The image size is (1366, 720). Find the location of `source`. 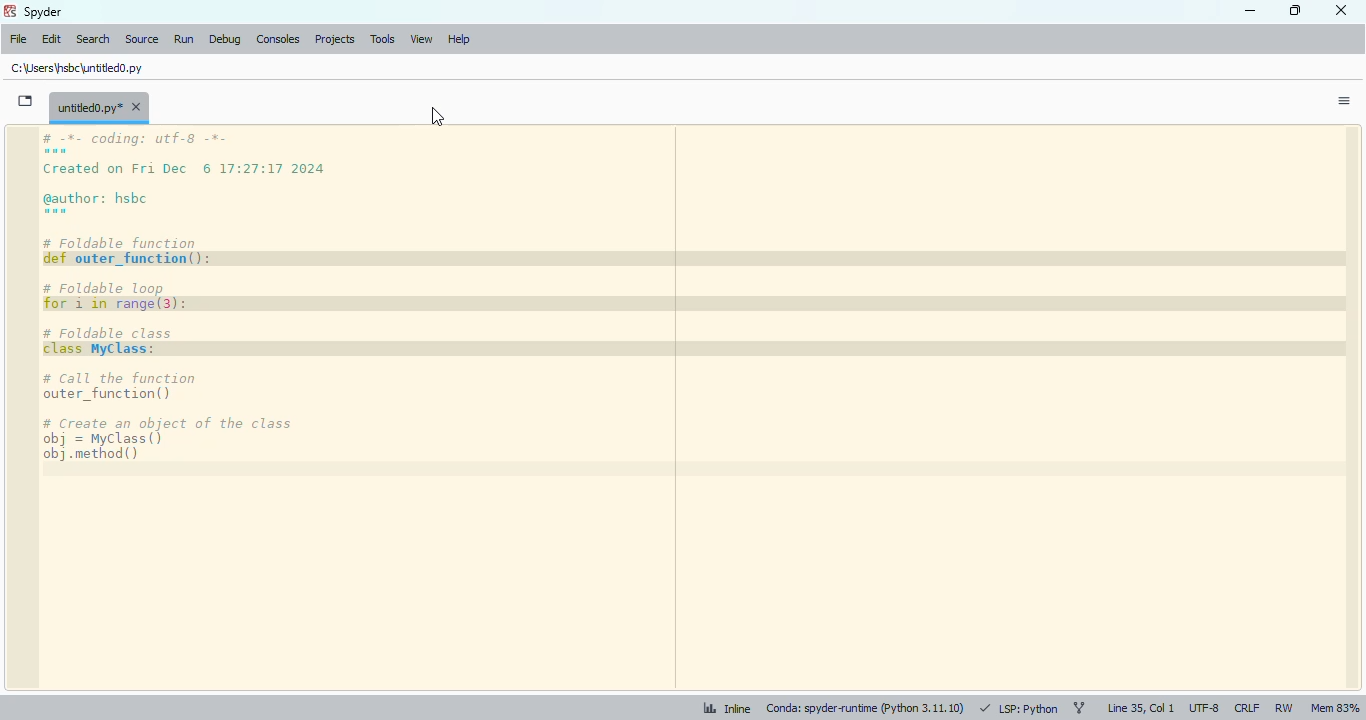

source is located at coordinates (140, 39).